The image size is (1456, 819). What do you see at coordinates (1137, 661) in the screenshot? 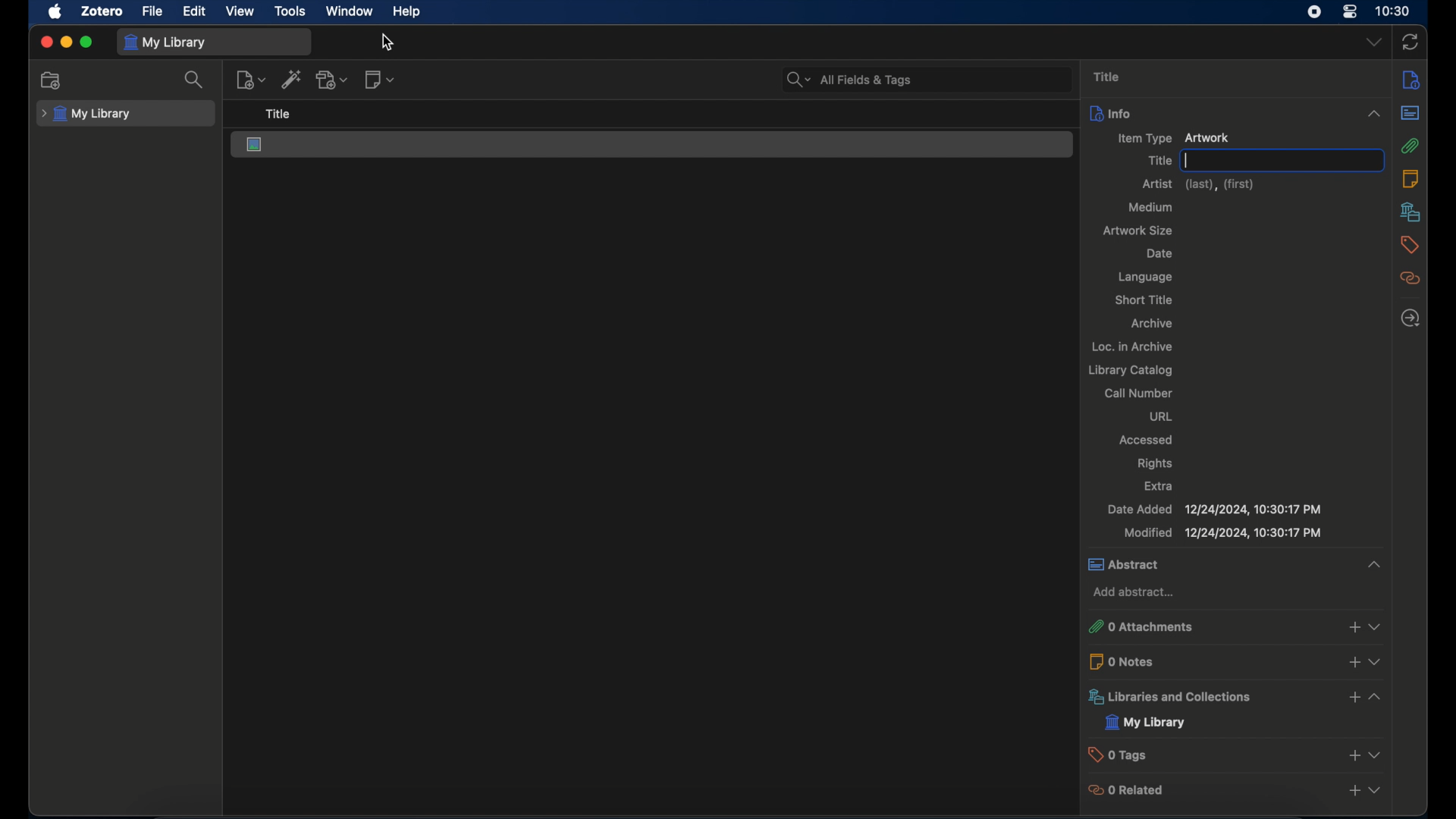
I see `0 notes` at bounding box center [1137, 661].